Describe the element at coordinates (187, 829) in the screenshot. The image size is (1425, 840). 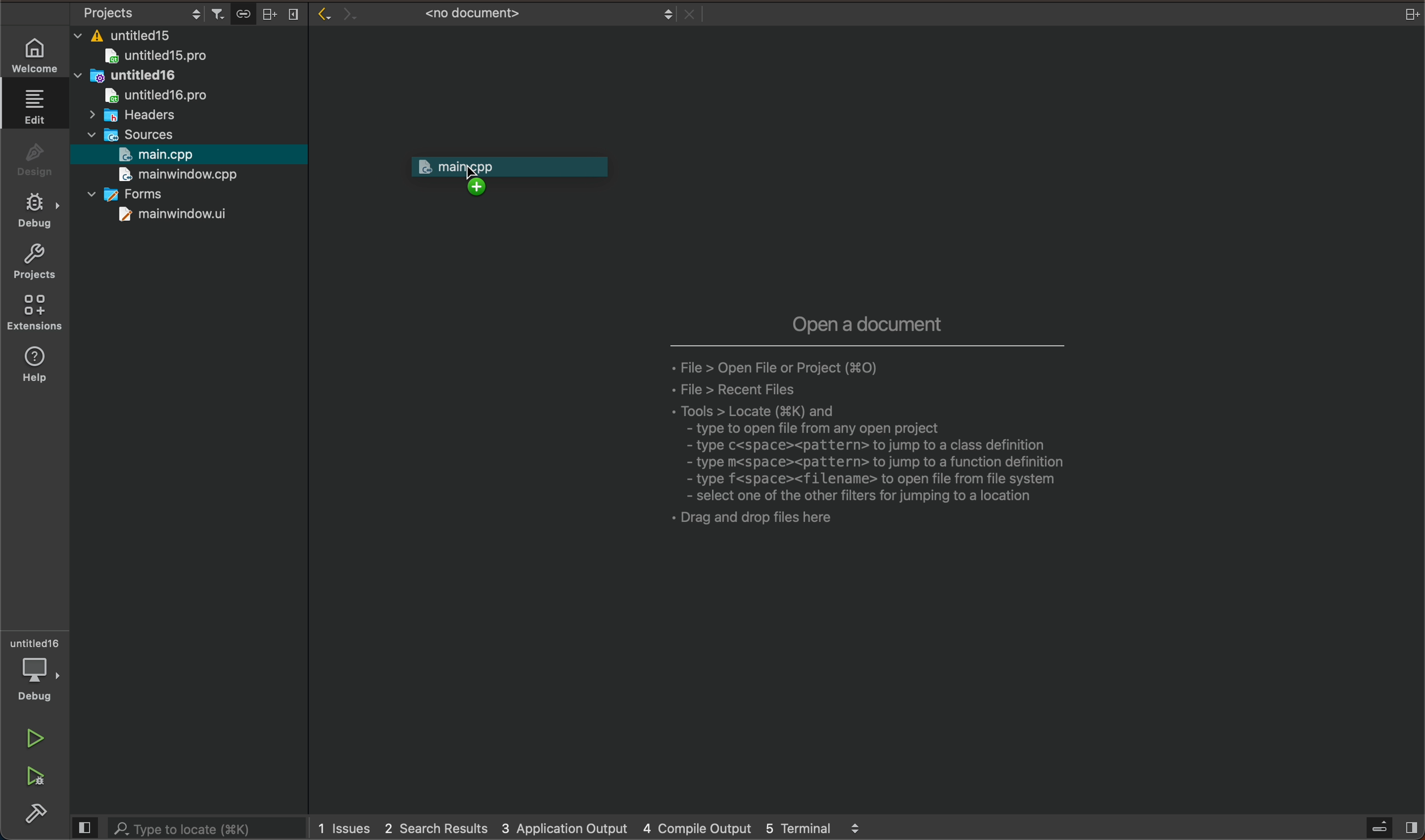
I see `search` at that location.